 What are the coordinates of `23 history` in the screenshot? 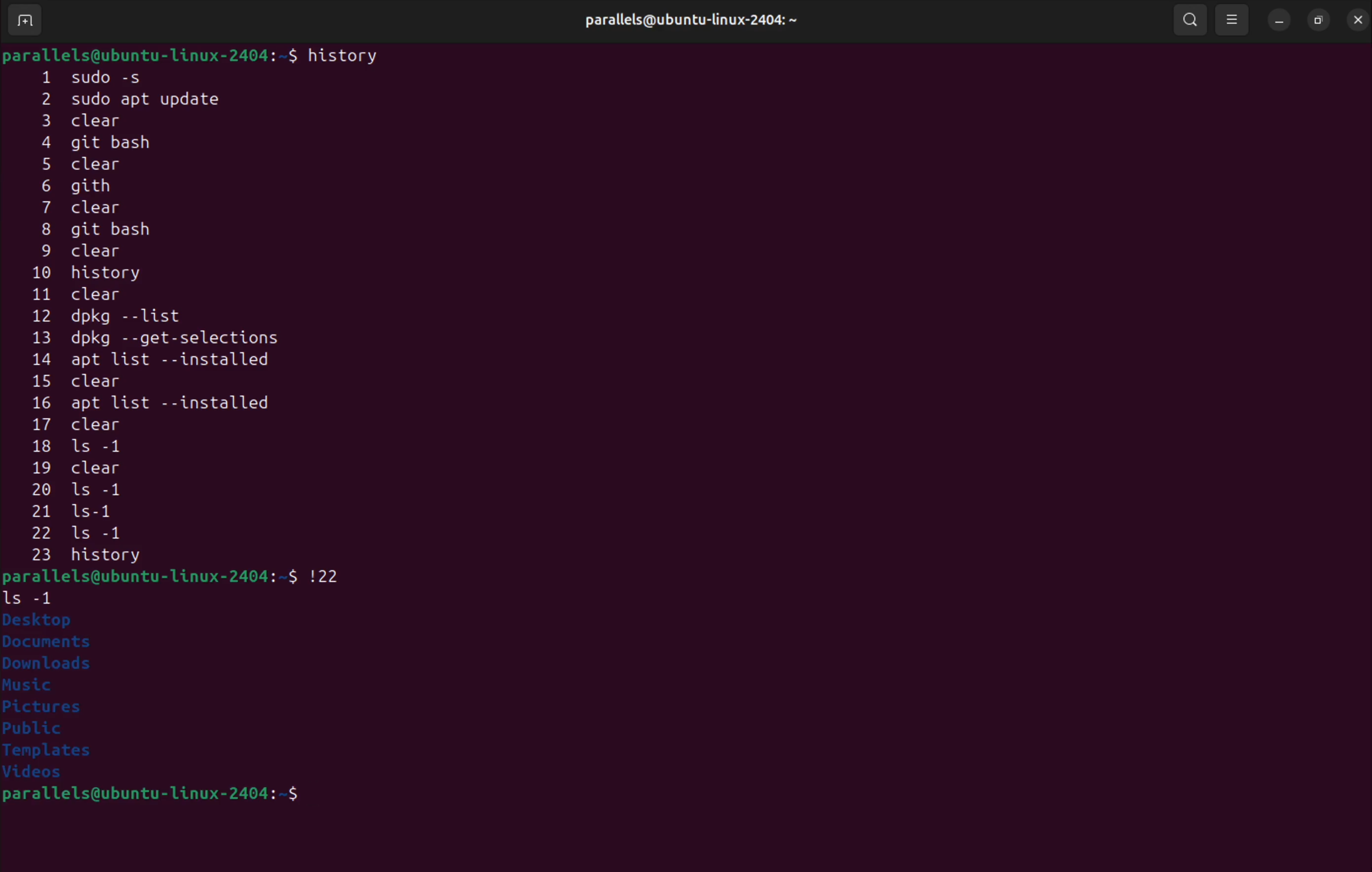 It's located at (117, 556).